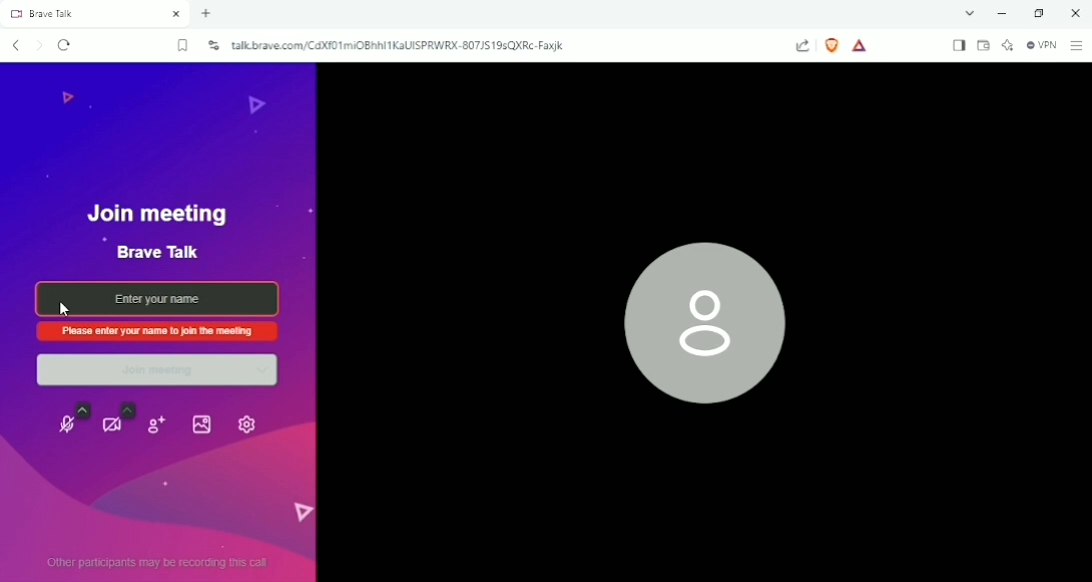  Describe the element at coordinates (160, 563) in the screenshot. I see `Other participants may be recording this call` at that location.